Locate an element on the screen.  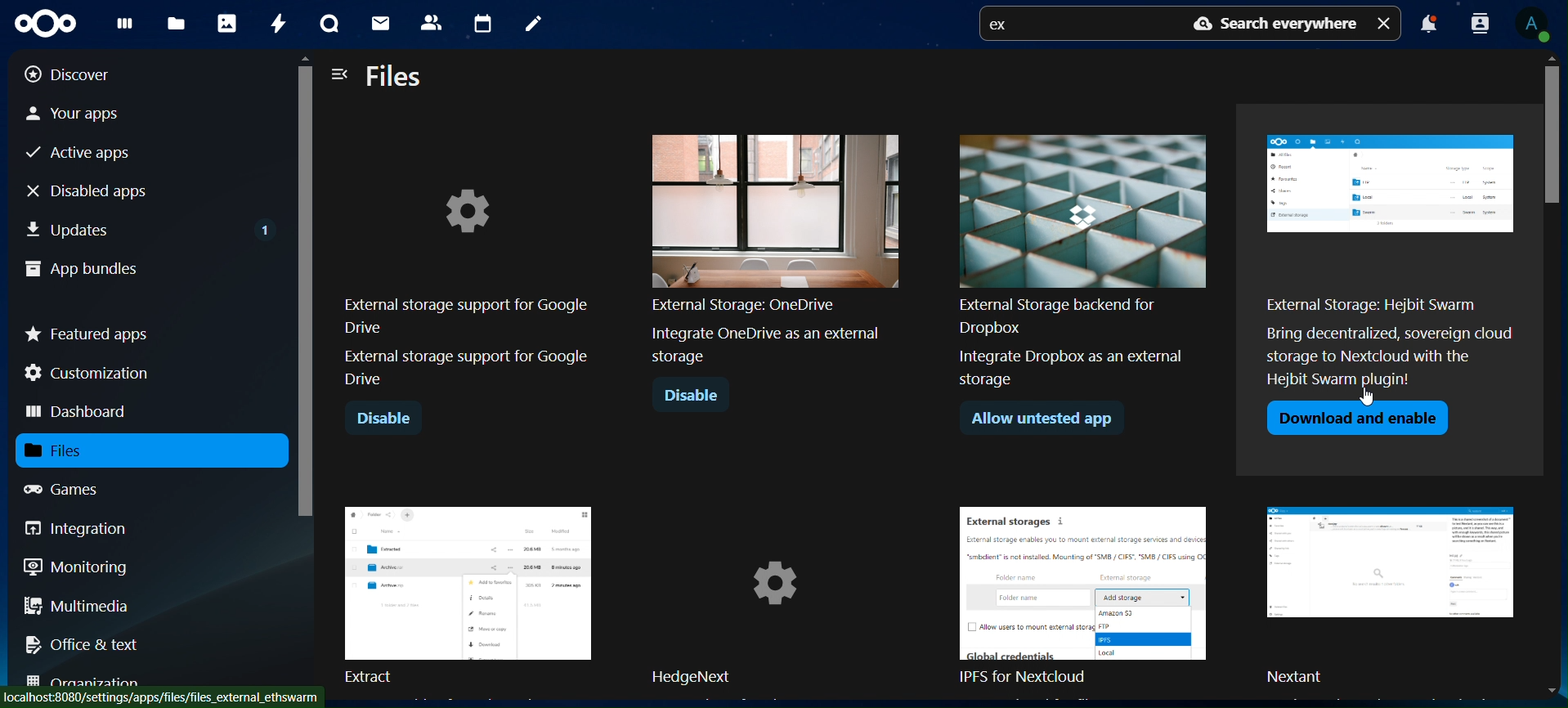
scrollbar is located at coordinates (304, 367).